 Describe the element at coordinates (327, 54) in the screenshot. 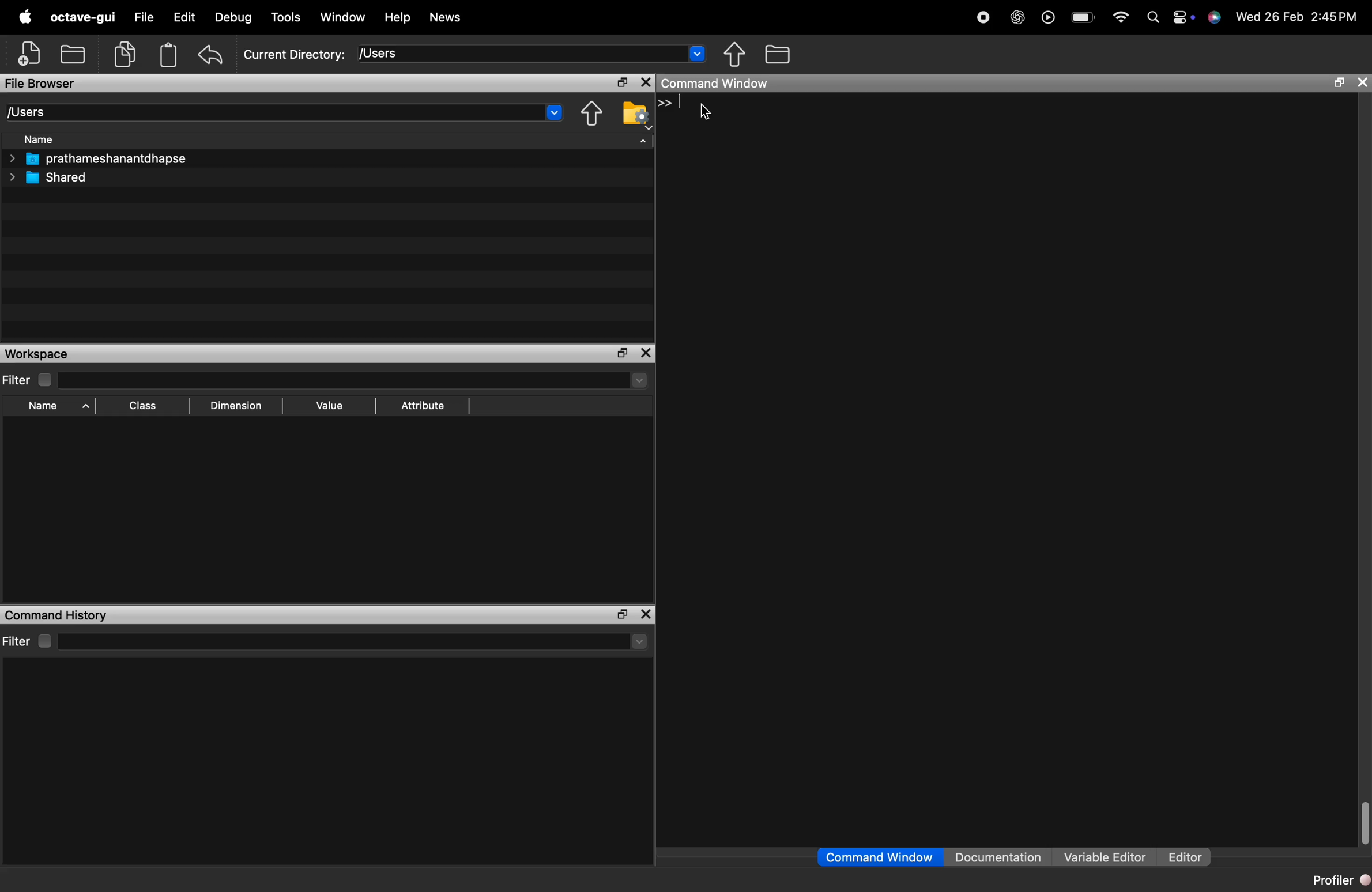

I see `Current Directory: [Users` at that location.